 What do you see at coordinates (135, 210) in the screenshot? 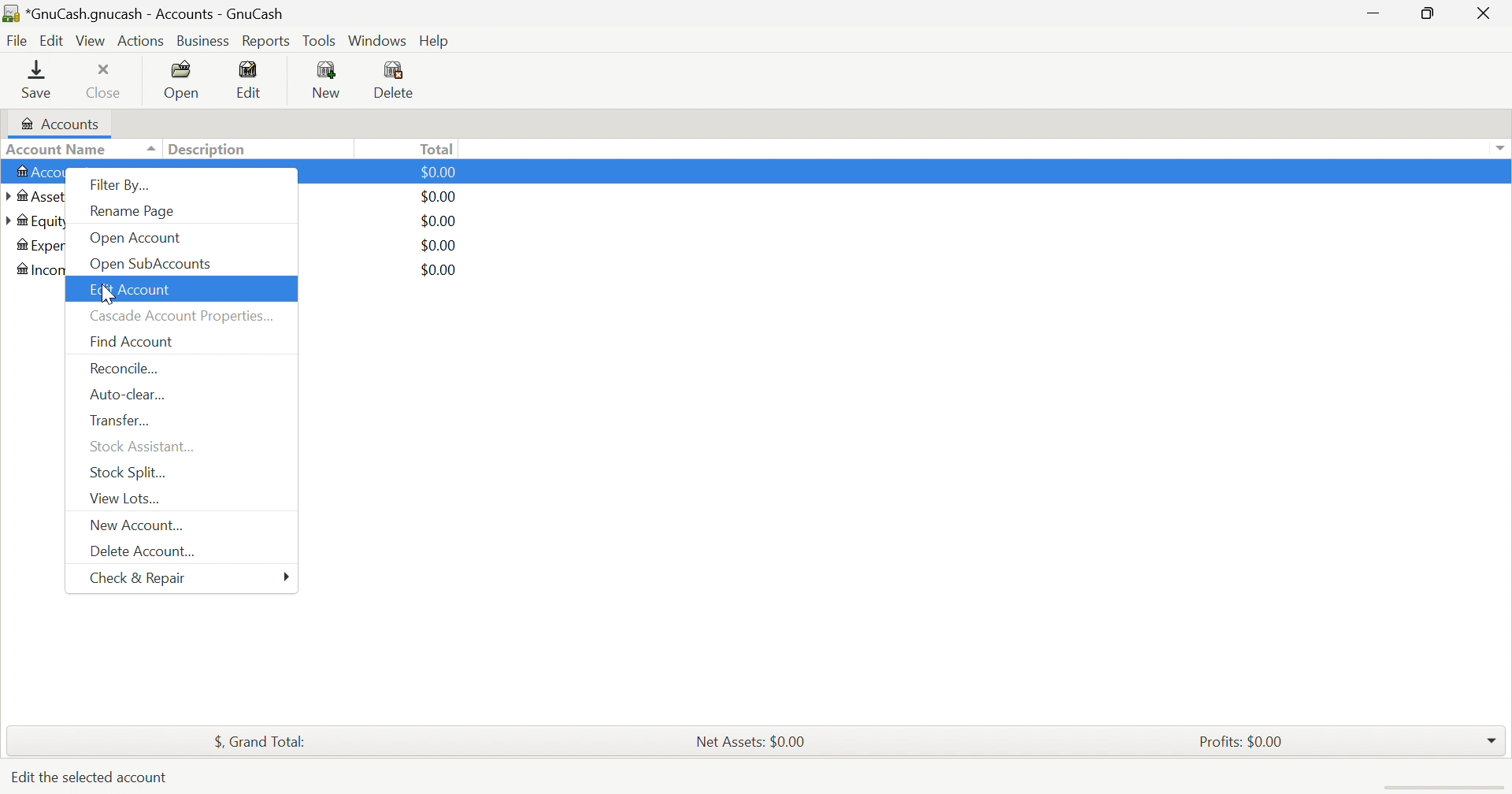
I see `Rename page` at bounding box center [135, 210].